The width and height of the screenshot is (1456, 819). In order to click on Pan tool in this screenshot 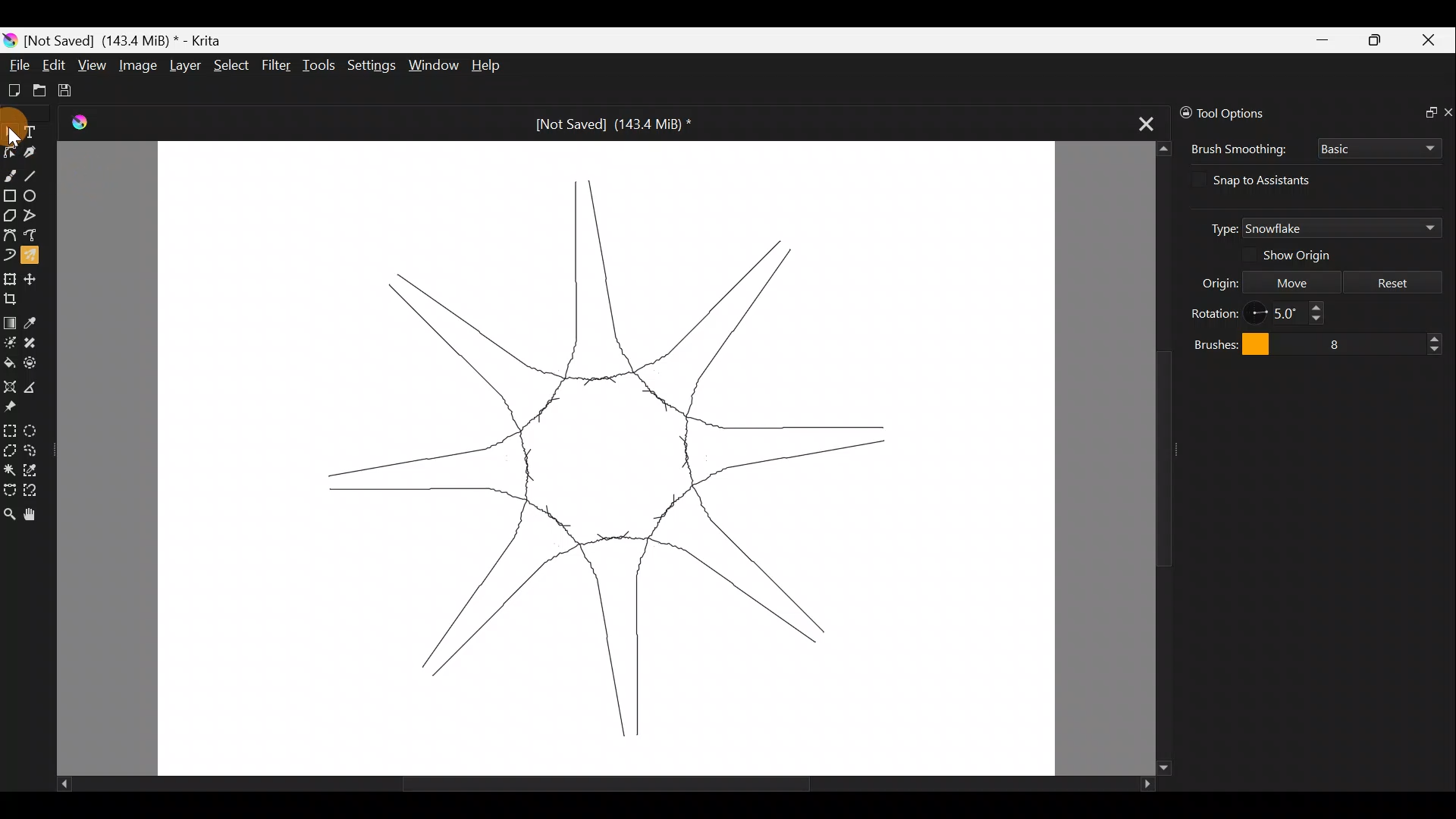, I will do `click(35, 516)`.